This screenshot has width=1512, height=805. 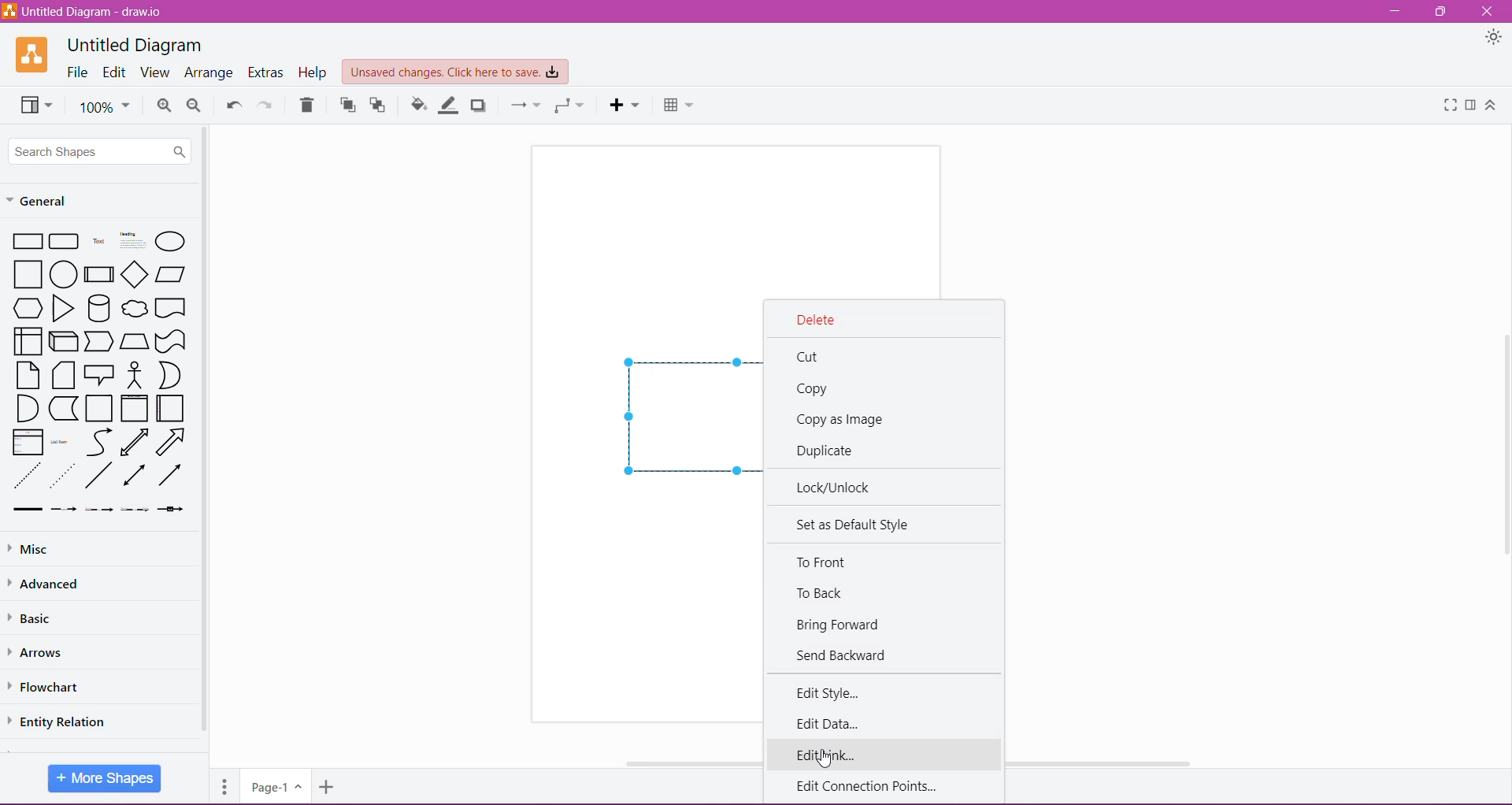 I want to click on To Back, so click(x=379, y=106).